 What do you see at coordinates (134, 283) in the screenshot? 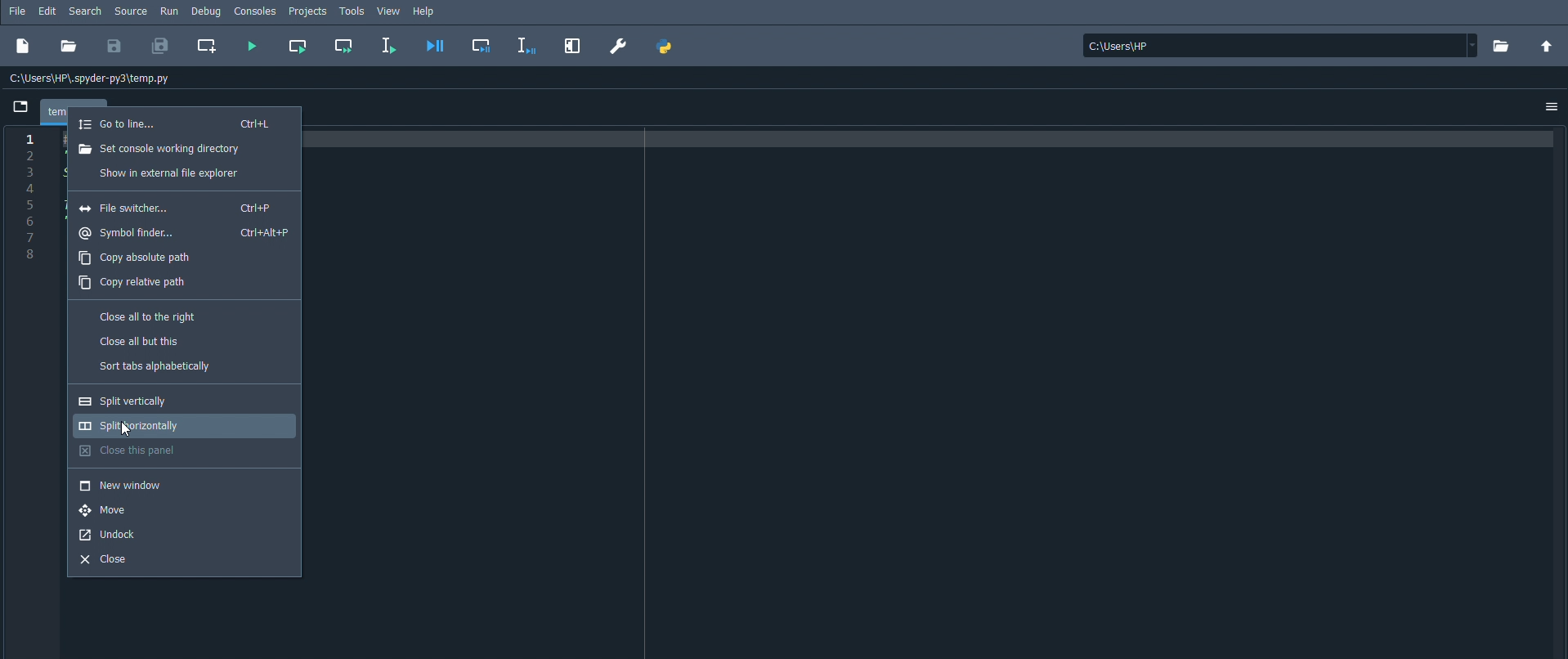
I see `Copy relative path` at bounding box center [134, 283].